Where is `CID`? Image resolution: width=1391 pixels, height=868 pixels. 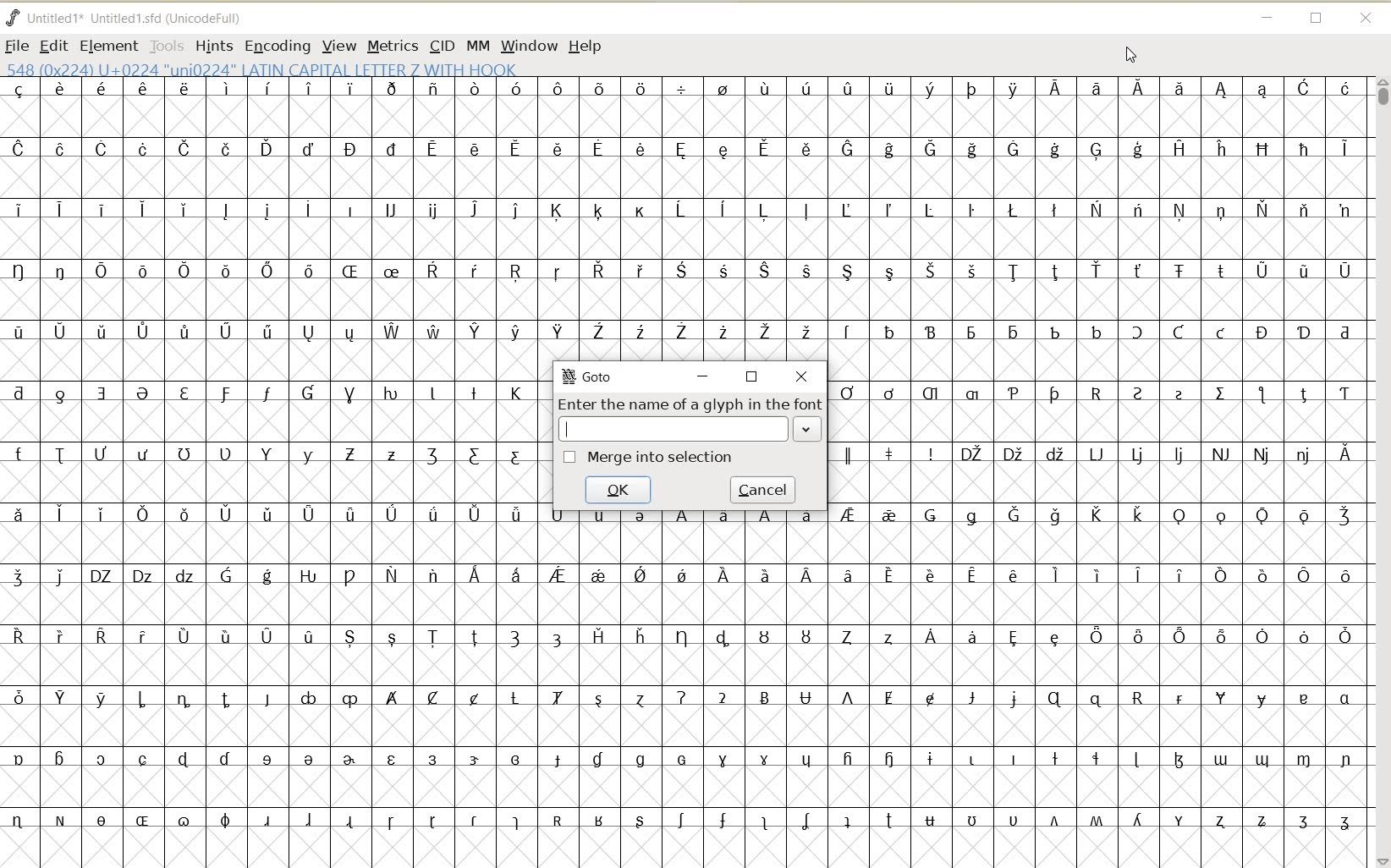 CID is located at coordinates (442, 47).